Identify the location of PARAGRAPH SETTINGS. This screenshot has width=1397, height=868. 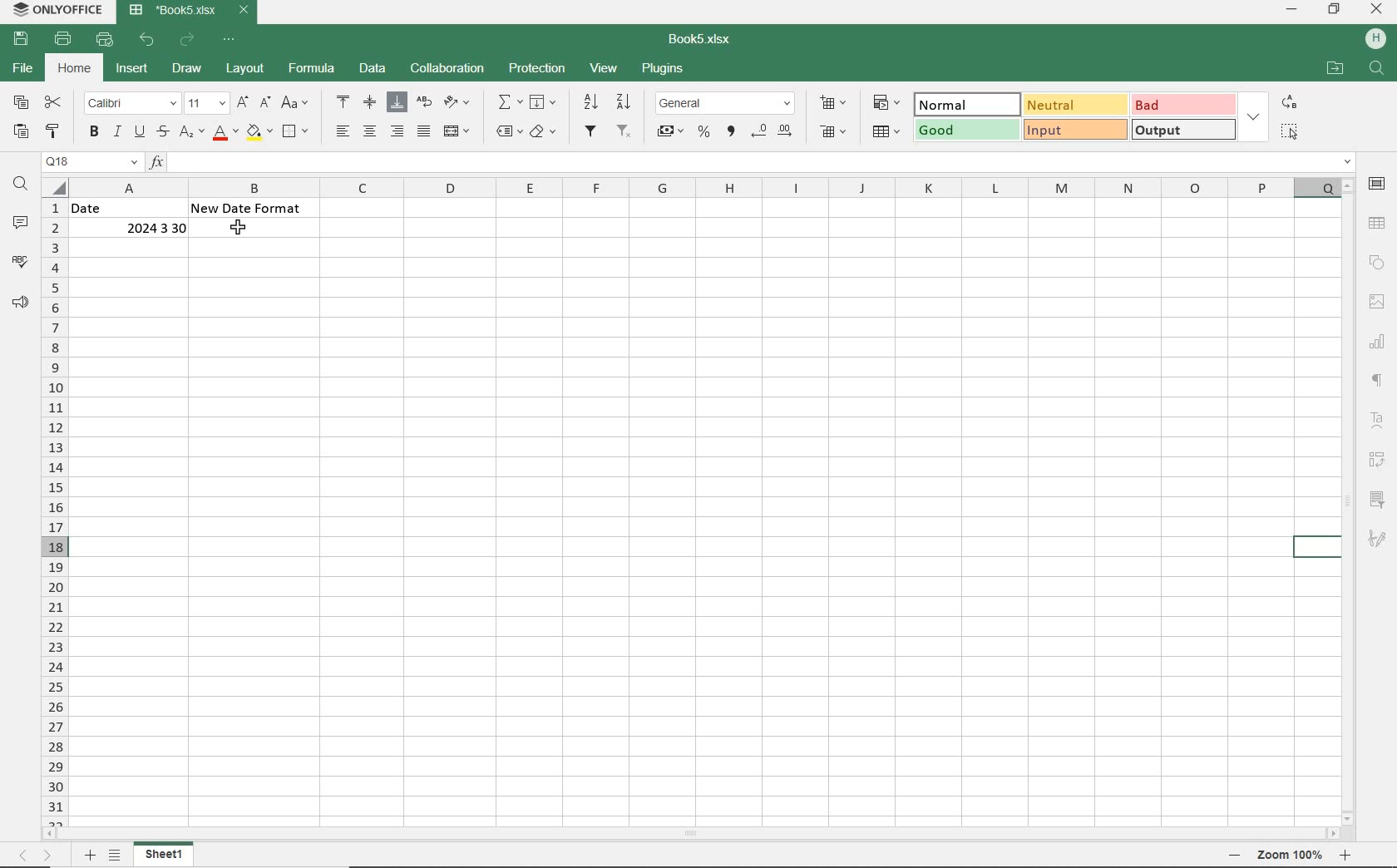
(1380, 382).